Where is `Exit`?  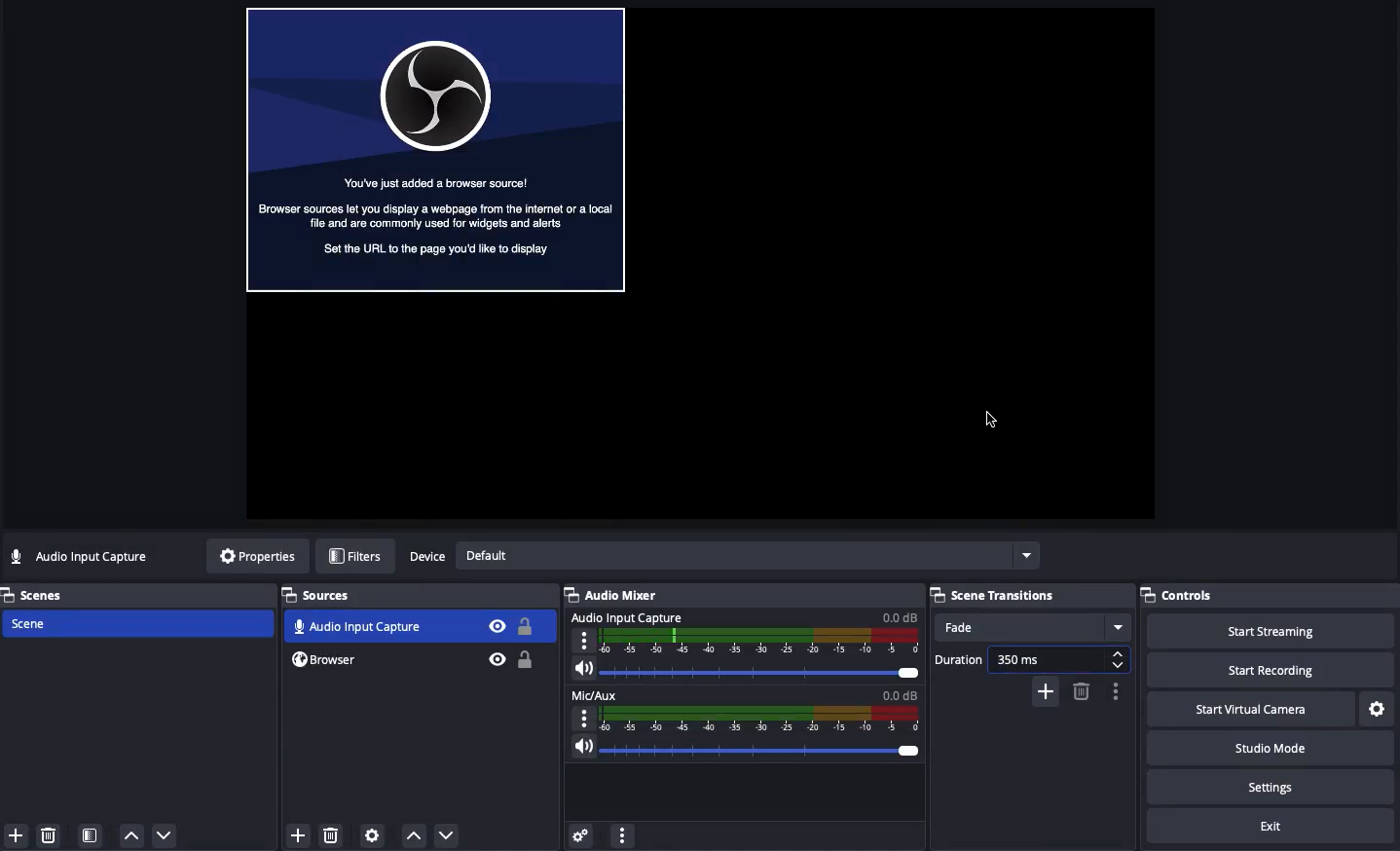
Exit is located at coordinates (1253, 827).